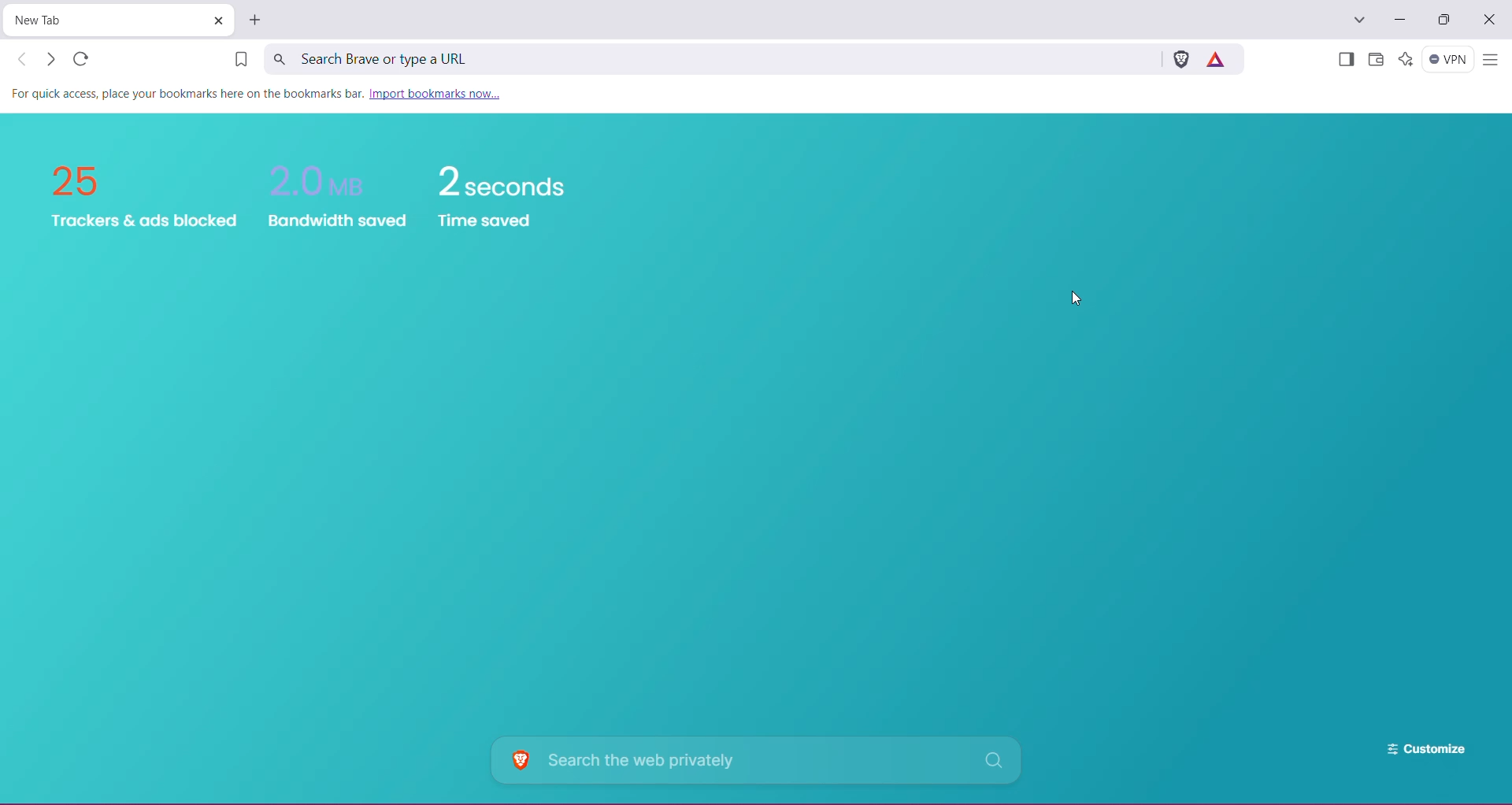 This screenshot has height=805, width=1512. I want to click on Brave Shields, so click(1180, 58).